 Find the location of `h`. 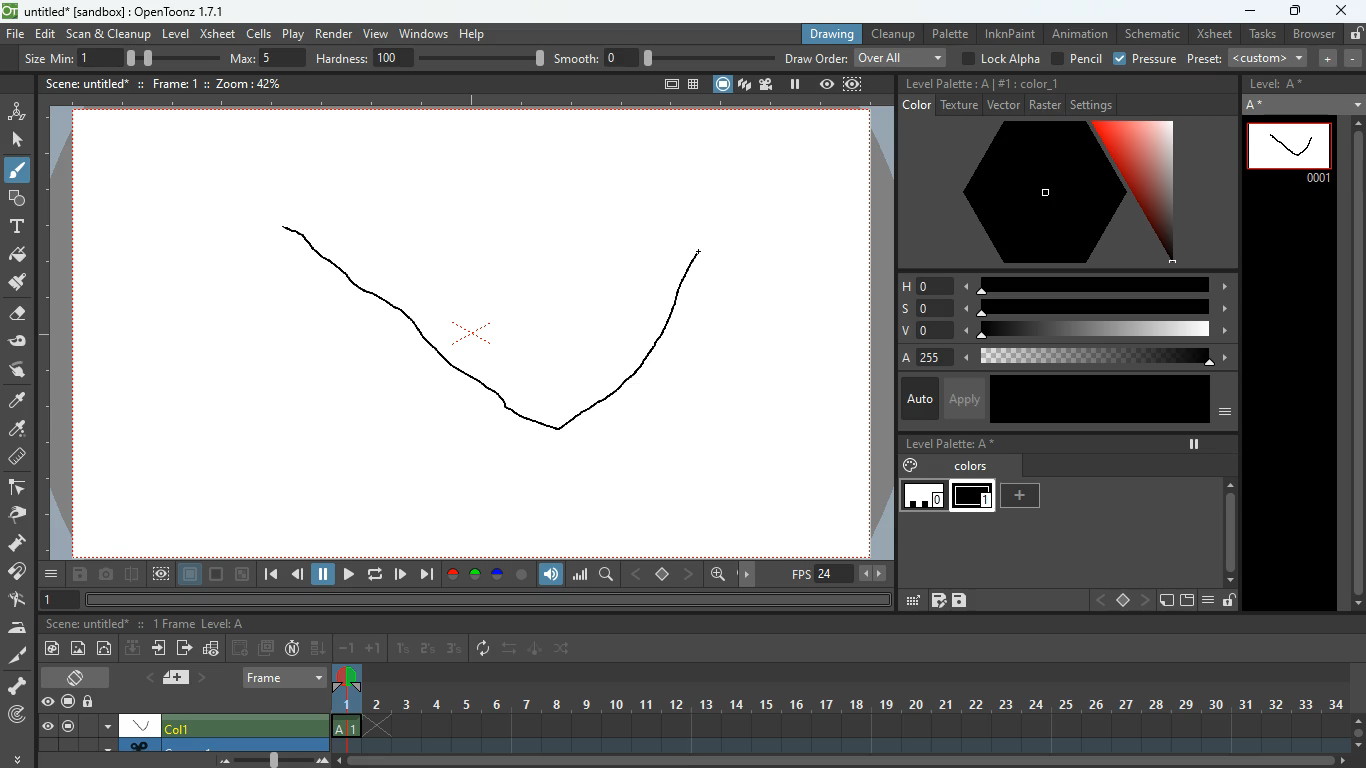

h is located at coordinates (1065, 284).